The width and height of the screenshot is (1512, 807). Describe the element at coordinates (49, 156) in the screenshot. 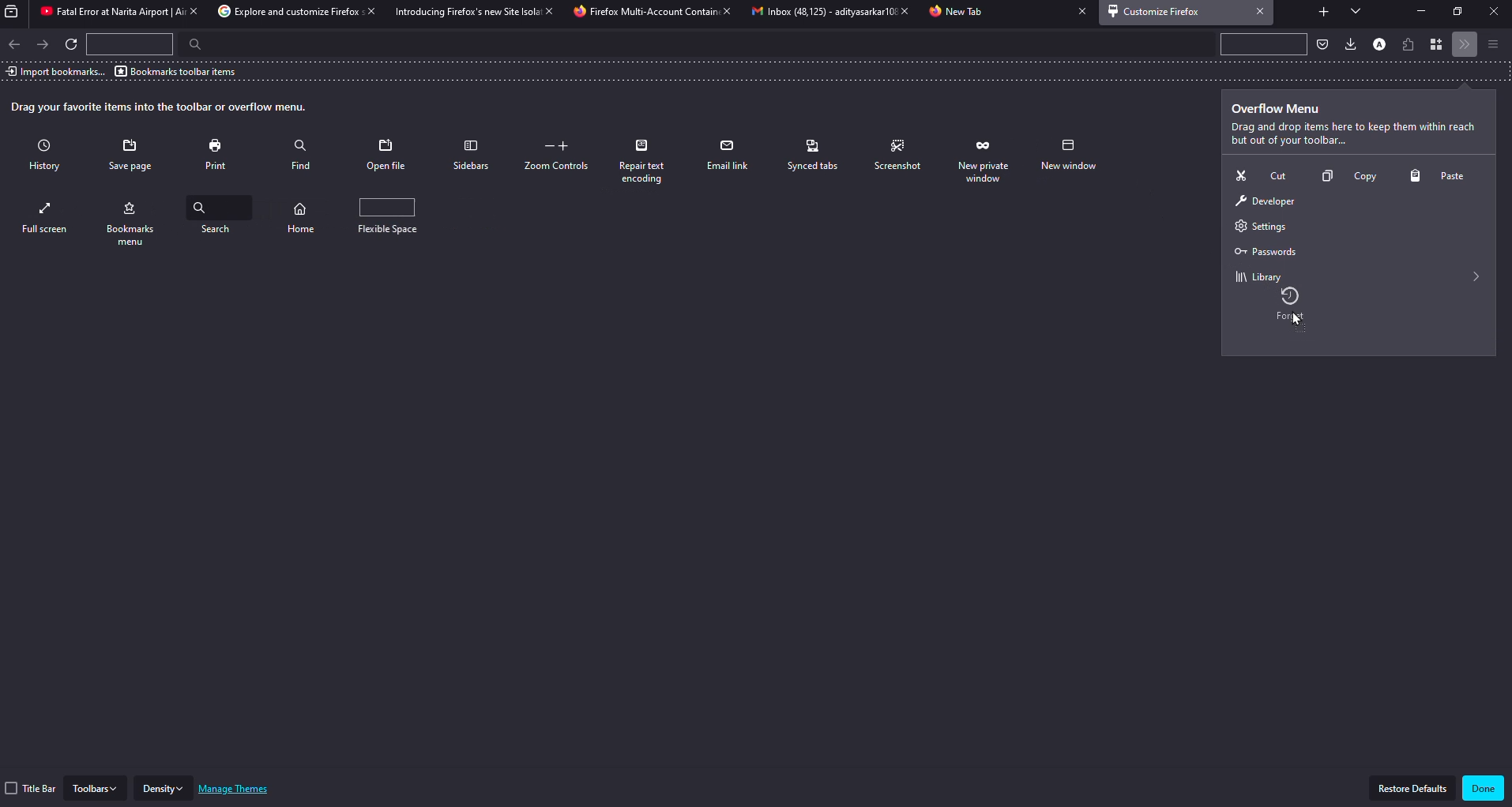

I see `history` at that location.